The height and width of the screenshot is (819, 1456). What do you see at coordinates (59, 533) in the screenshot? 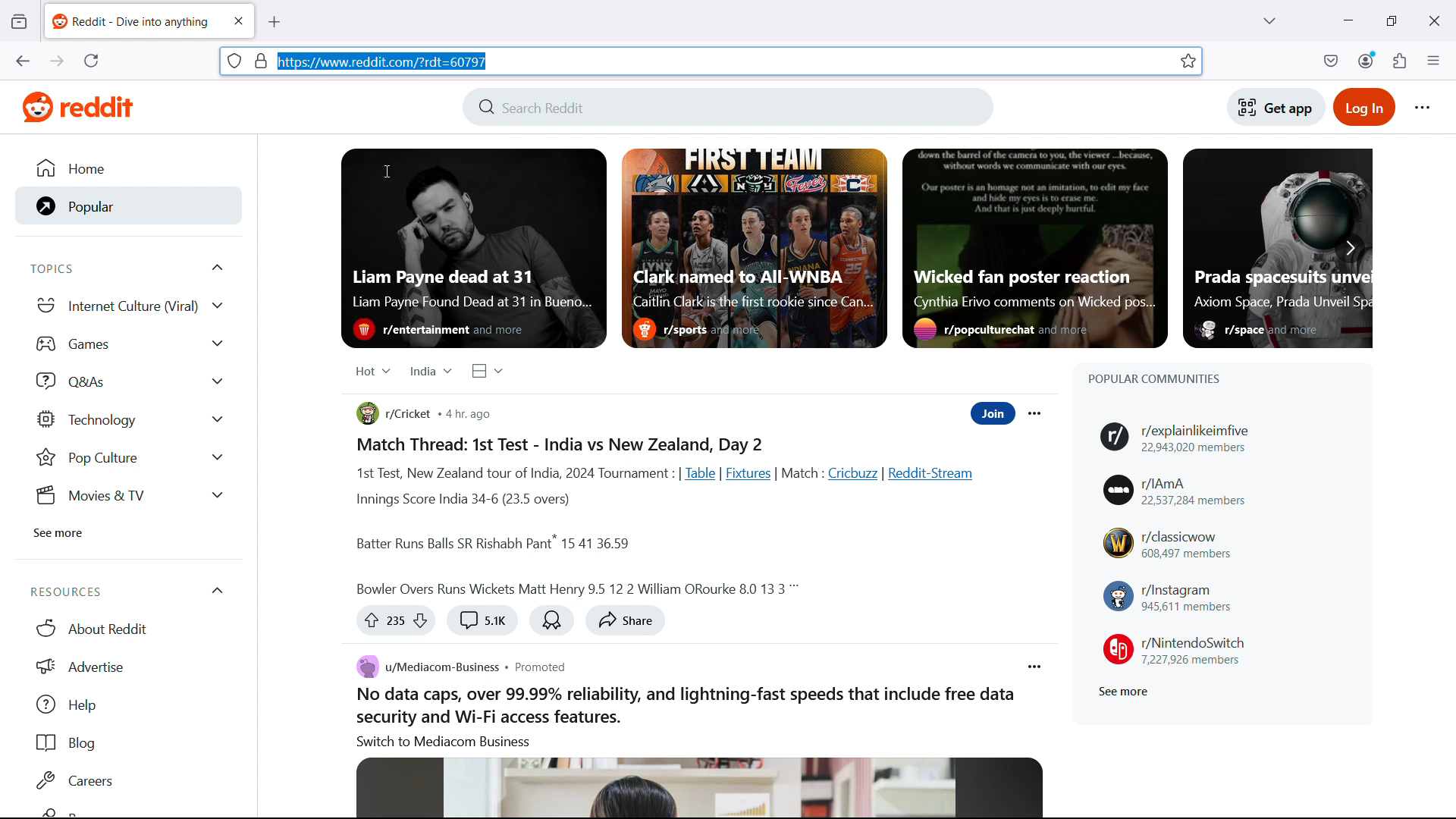
I see `See more` at bounding box center [59, 533].